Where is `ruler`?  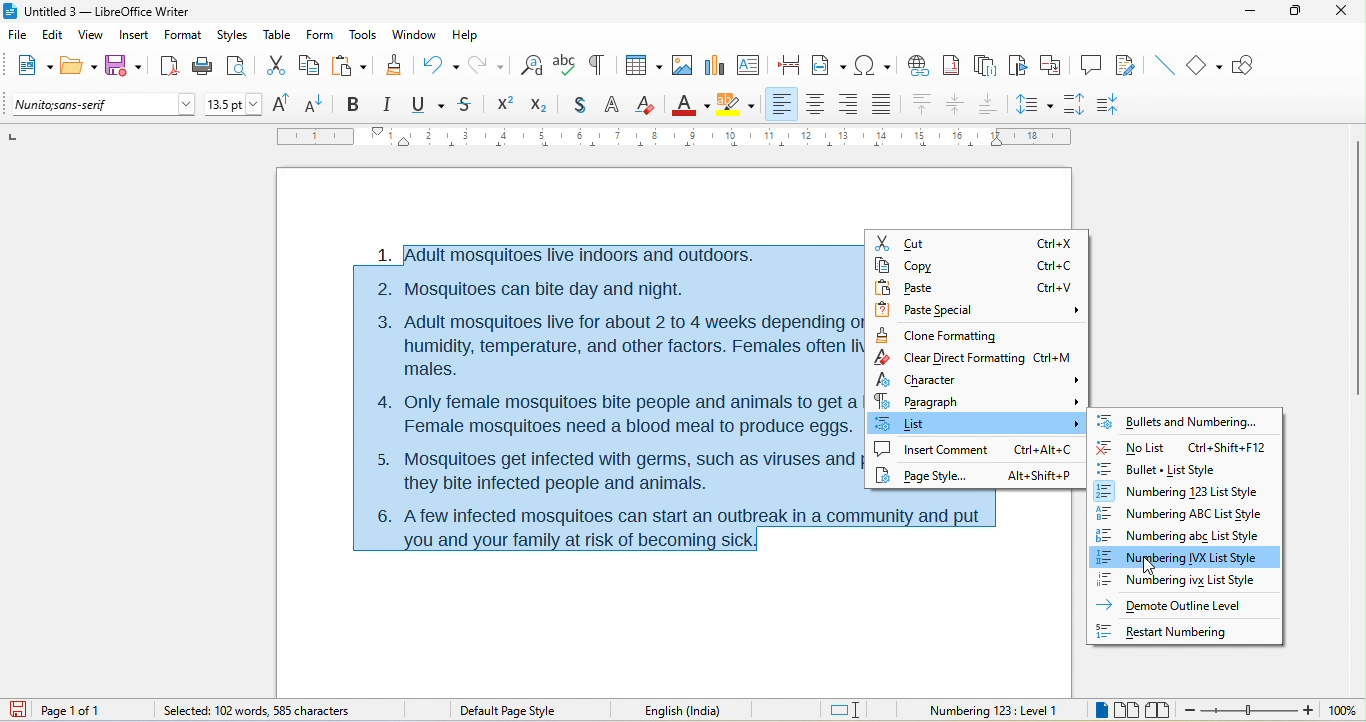
ruler is located at coordinates (673, 137).